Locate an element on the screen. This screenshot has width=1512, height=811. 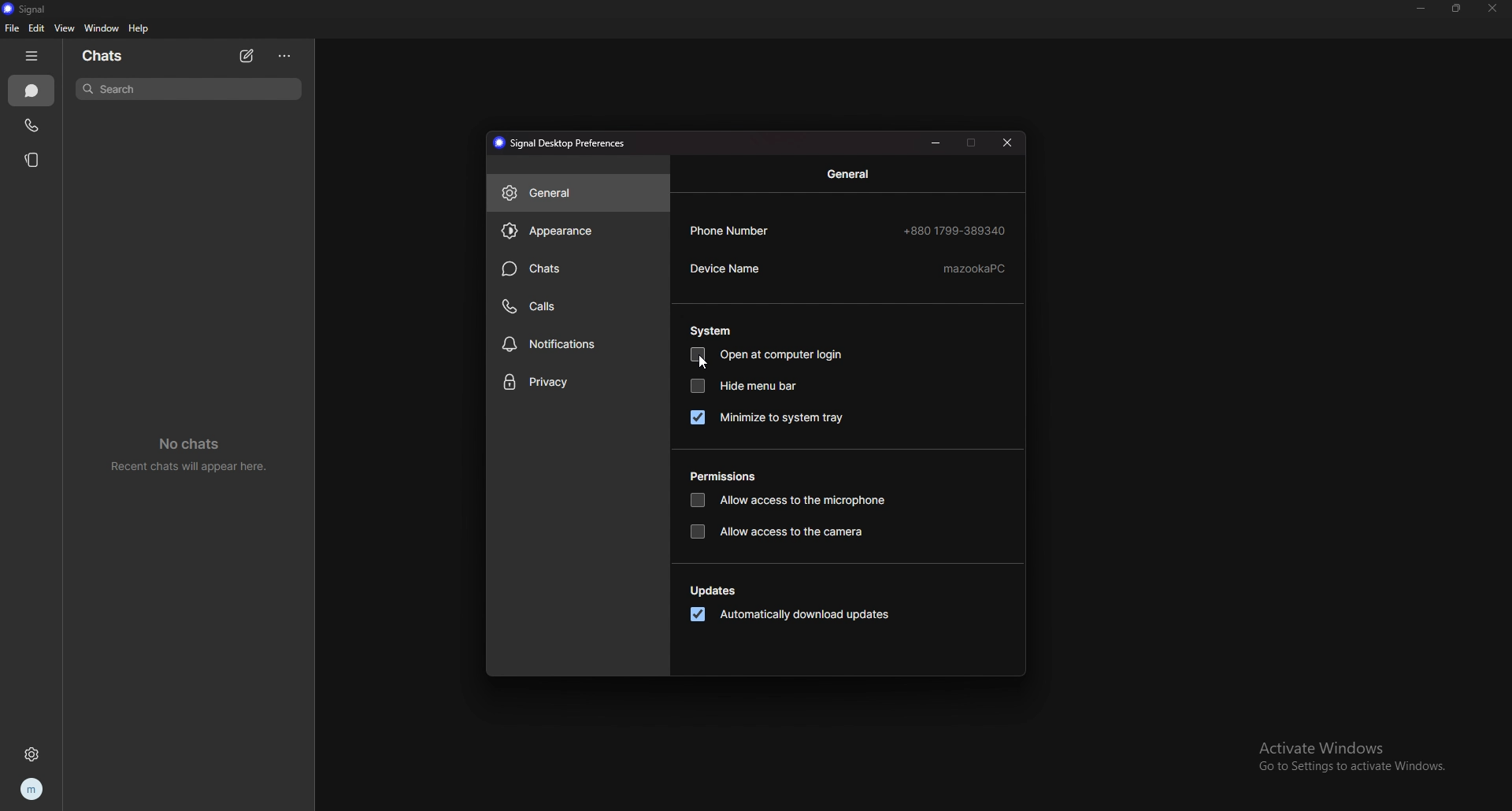
automatically download updates is located at coordinates (791, 616).